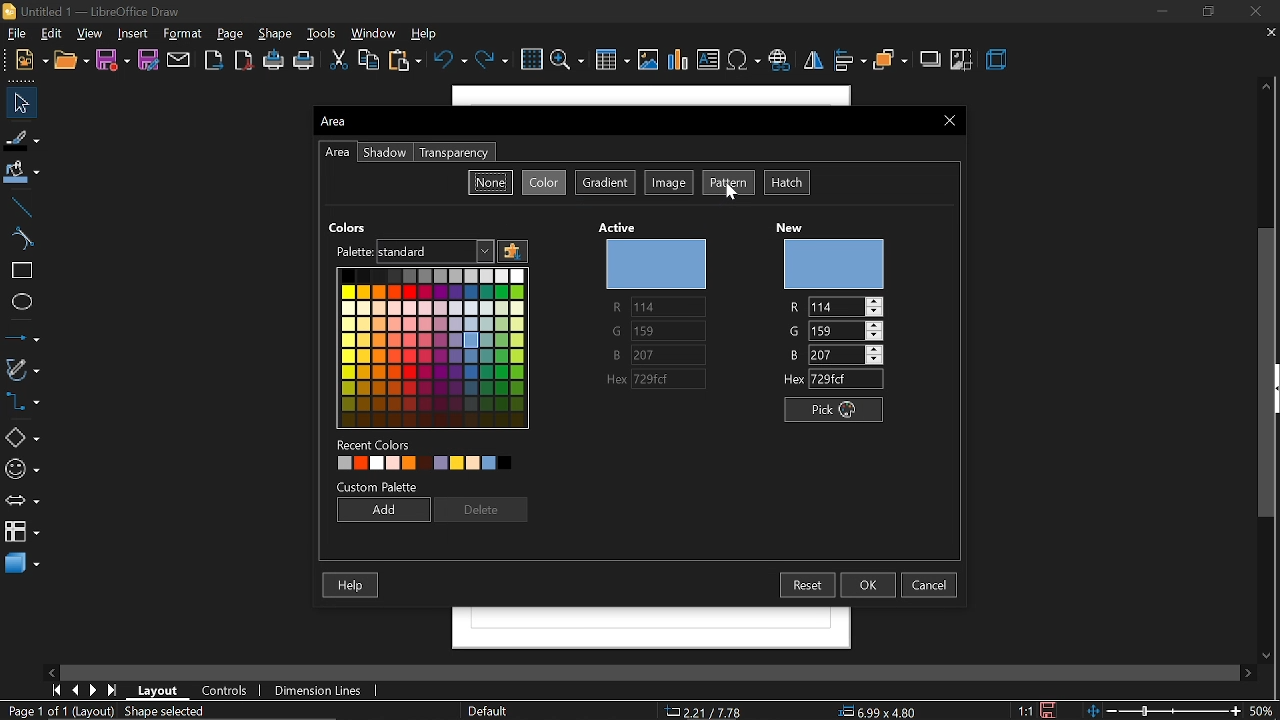 This screenshot has width=1280, height=720. What do you see at coordinates (20, 562) in the screenshot?
I see `3d shapes` at bounding box center [20, 562].